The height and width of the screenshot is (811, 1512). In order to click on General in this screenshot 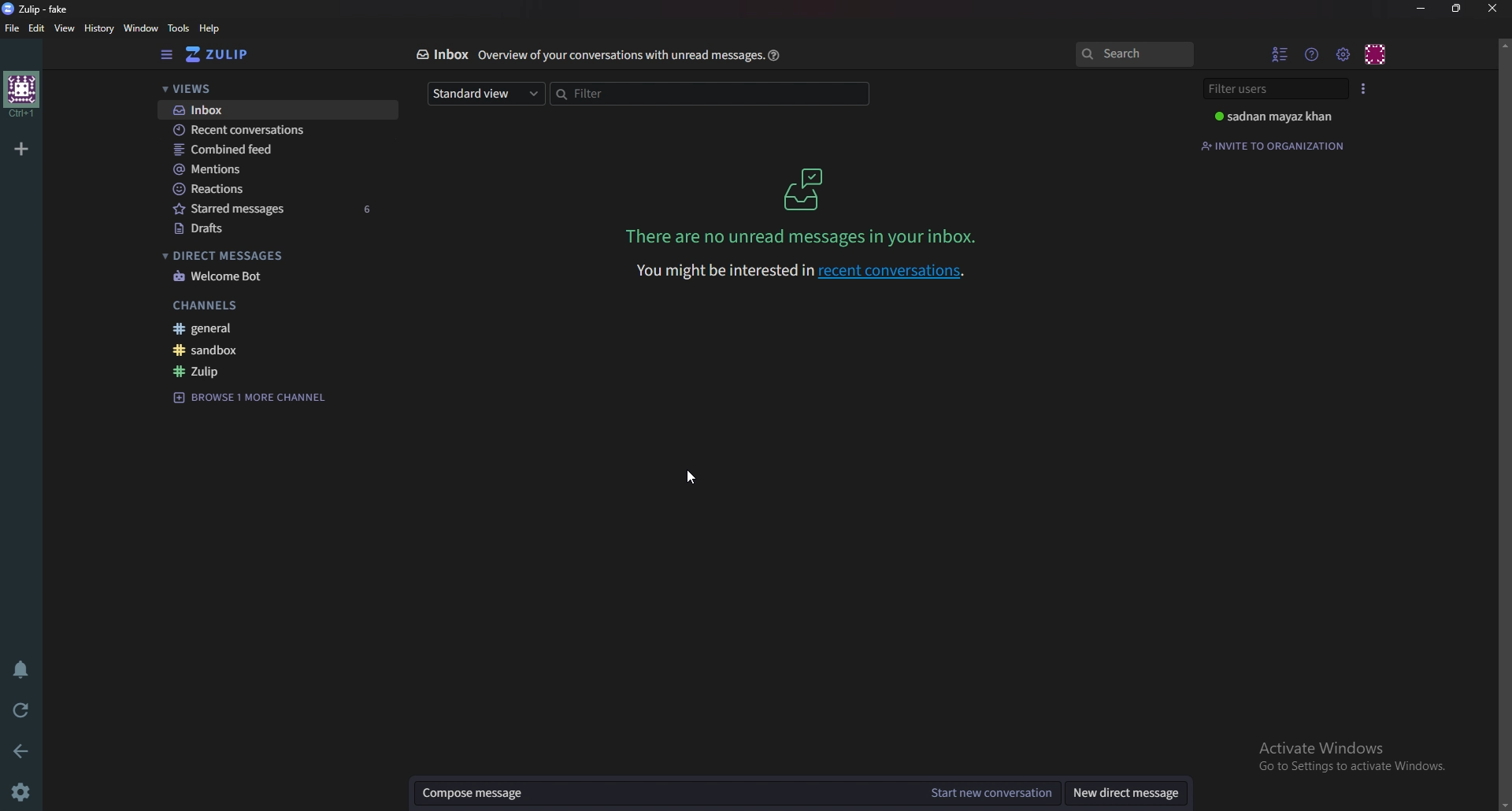, I will do `click(254, 328)`.